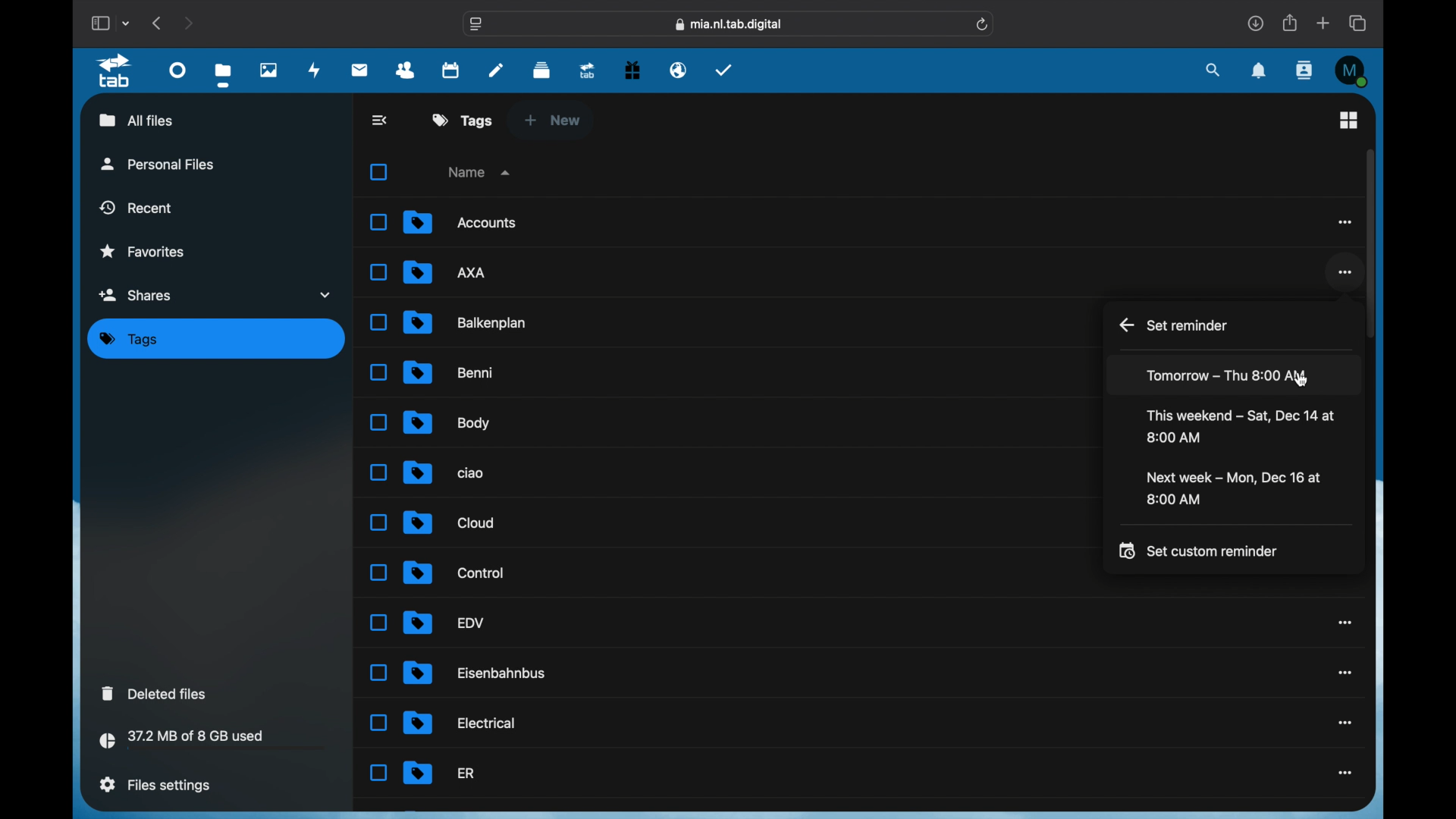 Image resolution: width=1456 pixels, height=819 pixels. Describe the element at coordinates (1242, 426) in the screenshot. I see `this weekend` at that location.